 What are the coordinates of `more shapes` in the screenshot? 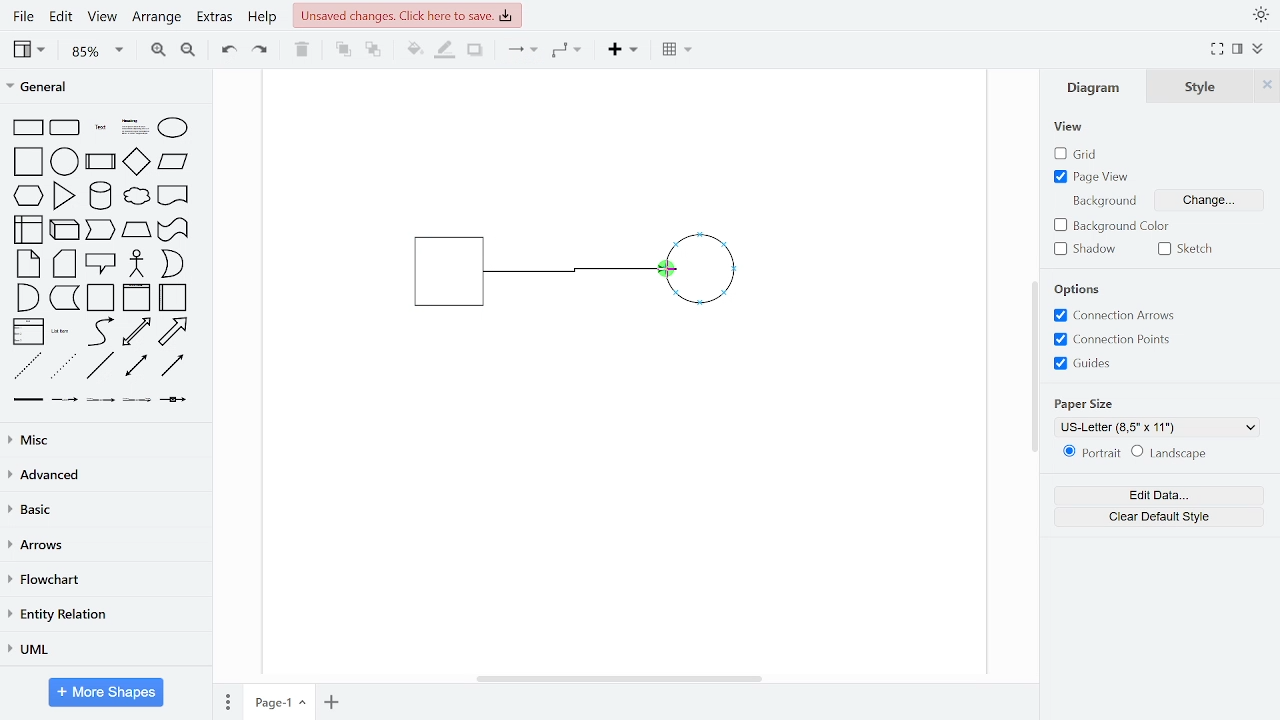 It's located at (107, 694).